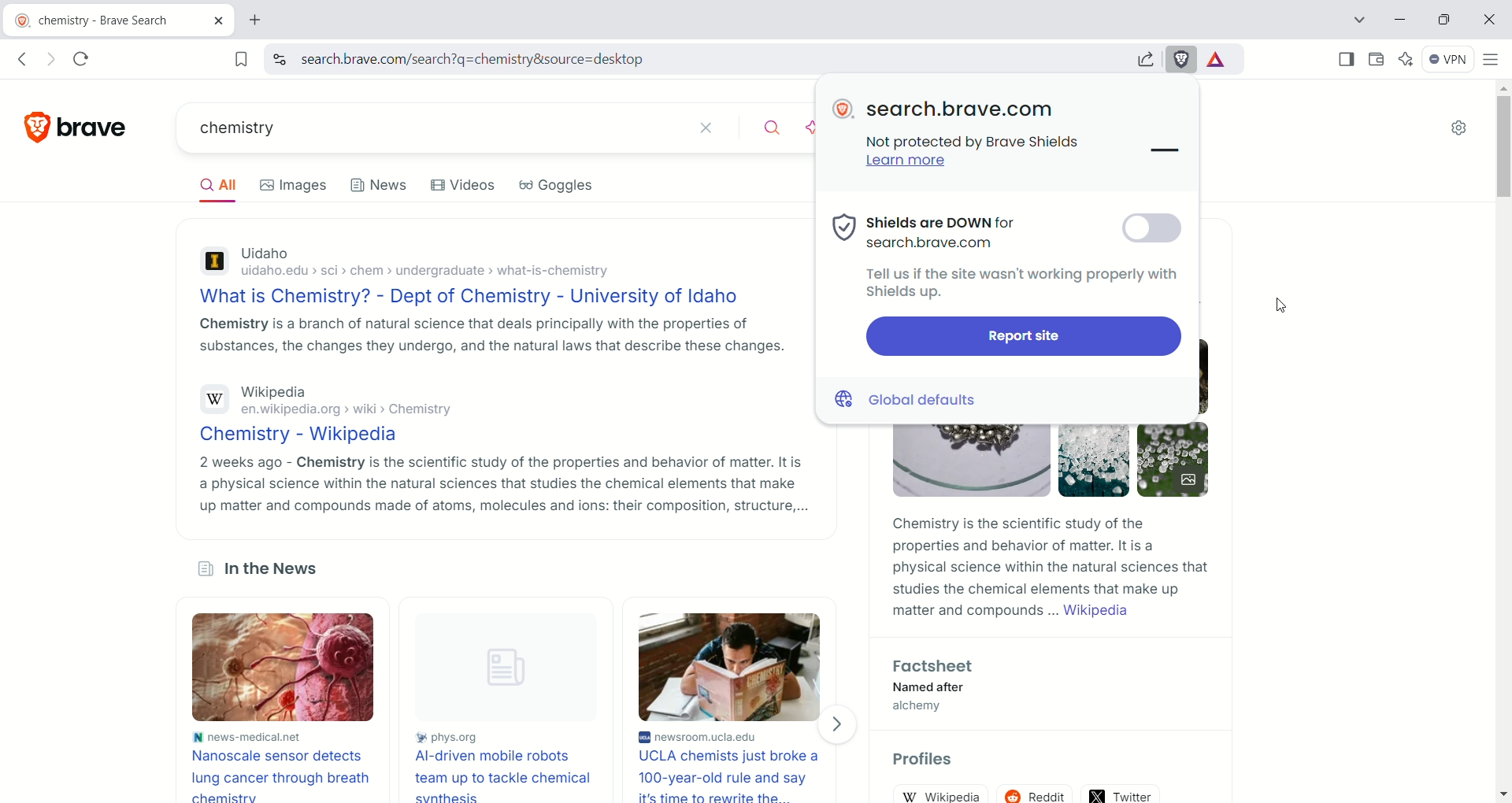 This screenshot has height=803, width=1512. Describe the element at coordinates (844, 109) in the screenshot. I see `brave logo` at that location.